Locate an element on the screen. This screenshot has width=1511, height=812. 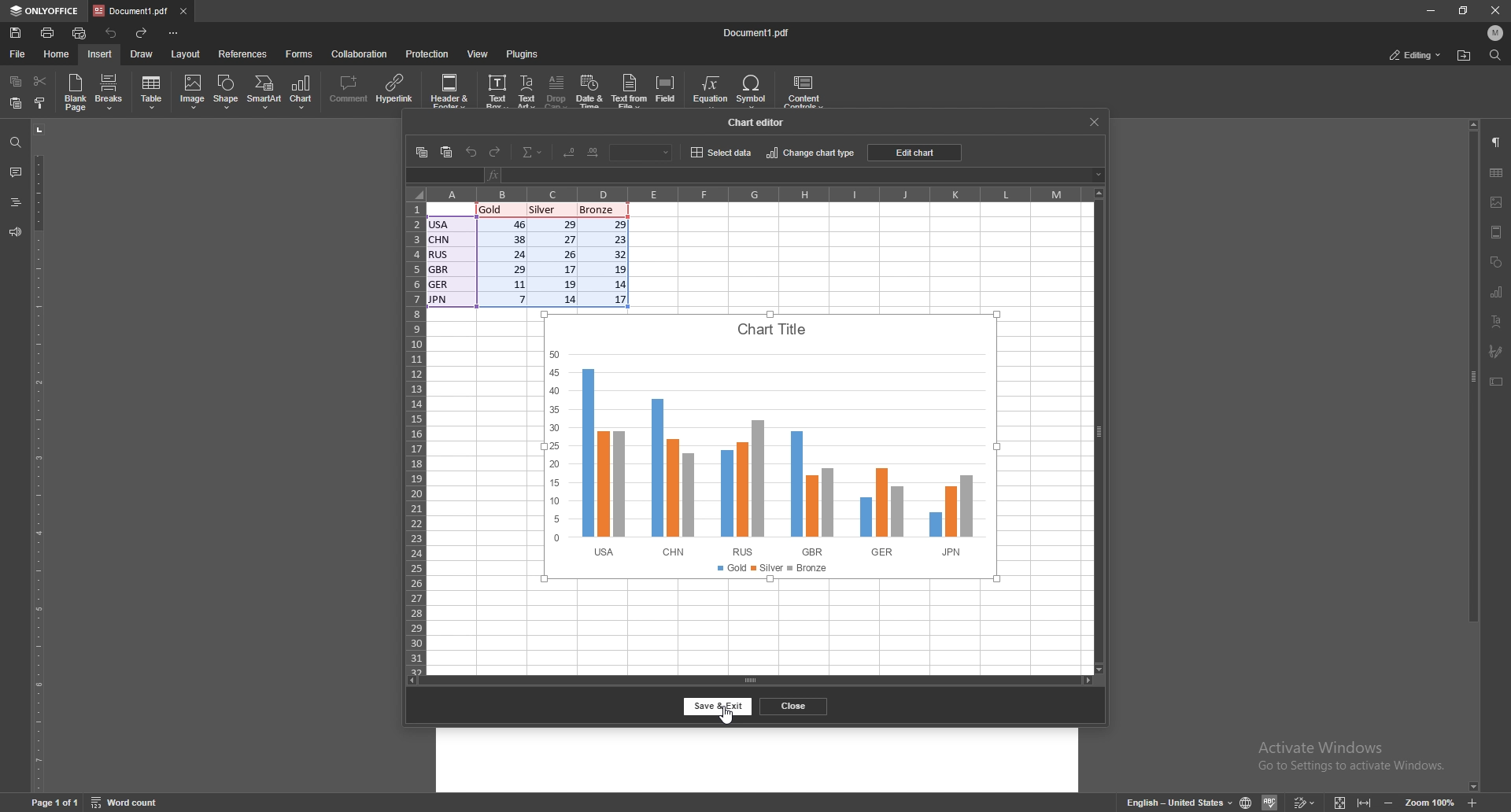
signature field is located at coordinates (1495, 352).